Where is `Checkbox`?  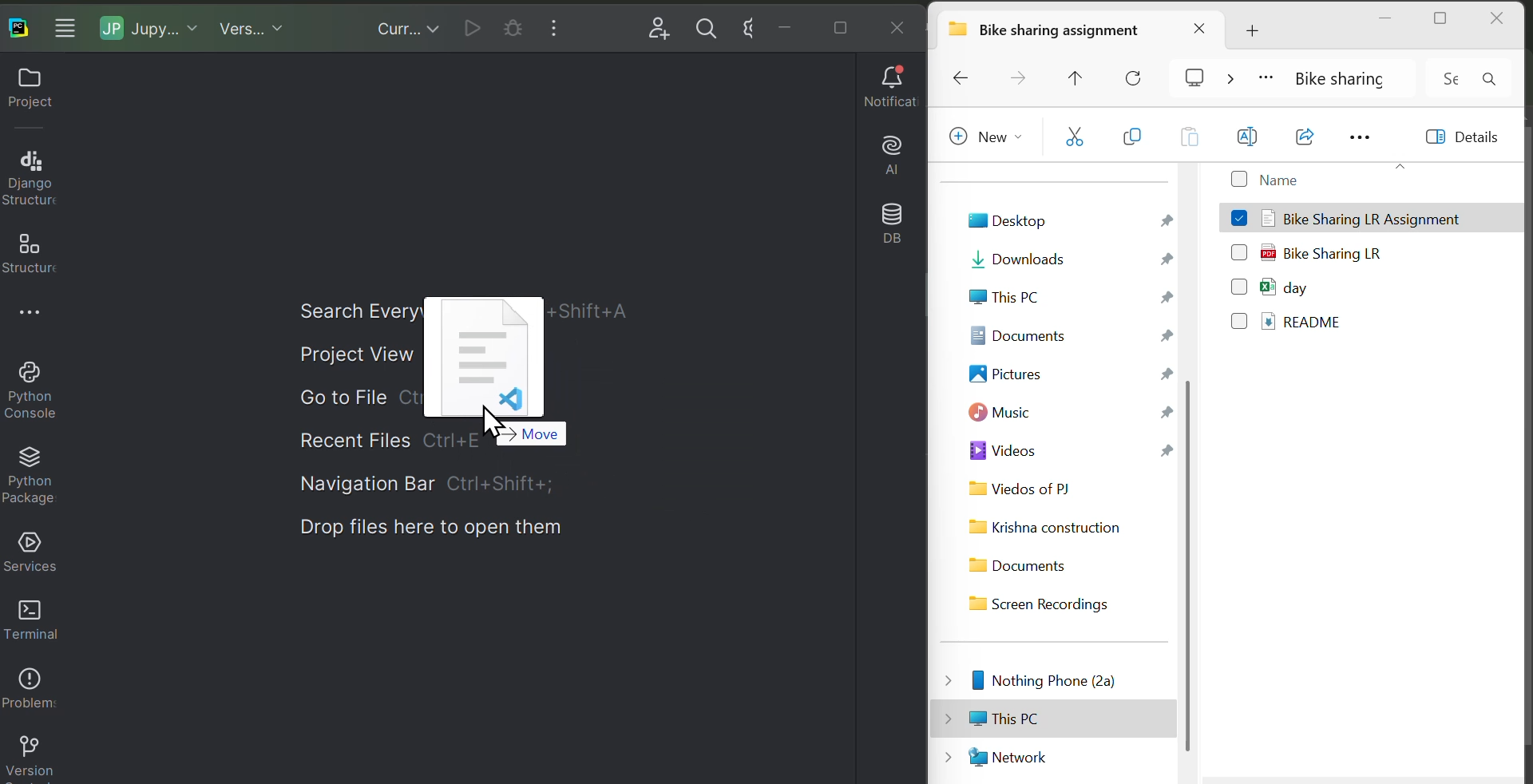
Checkbox is located at coordinates (1239, 325).